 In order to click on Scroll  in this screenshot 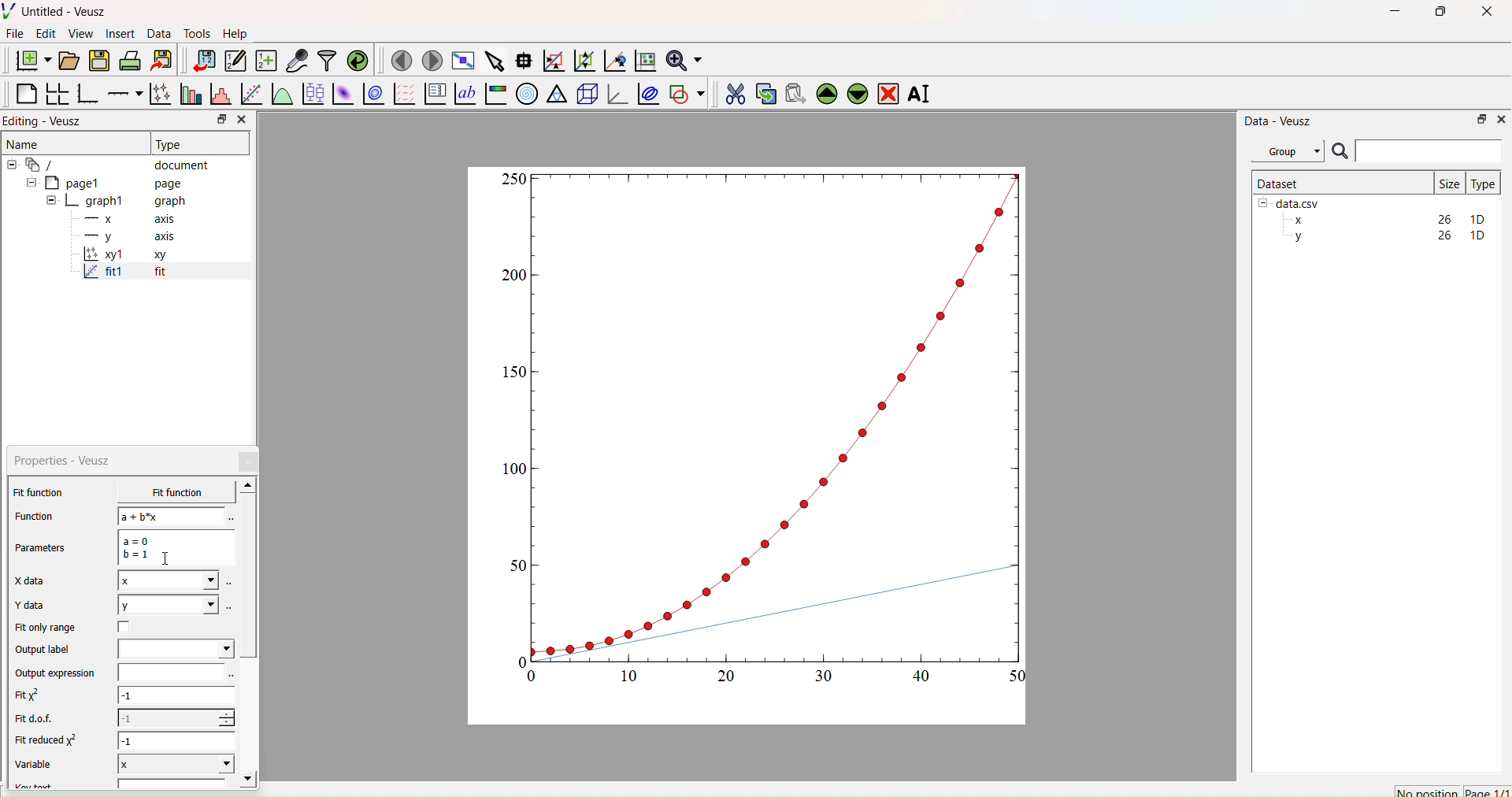, I will do `click(249, 634)`.